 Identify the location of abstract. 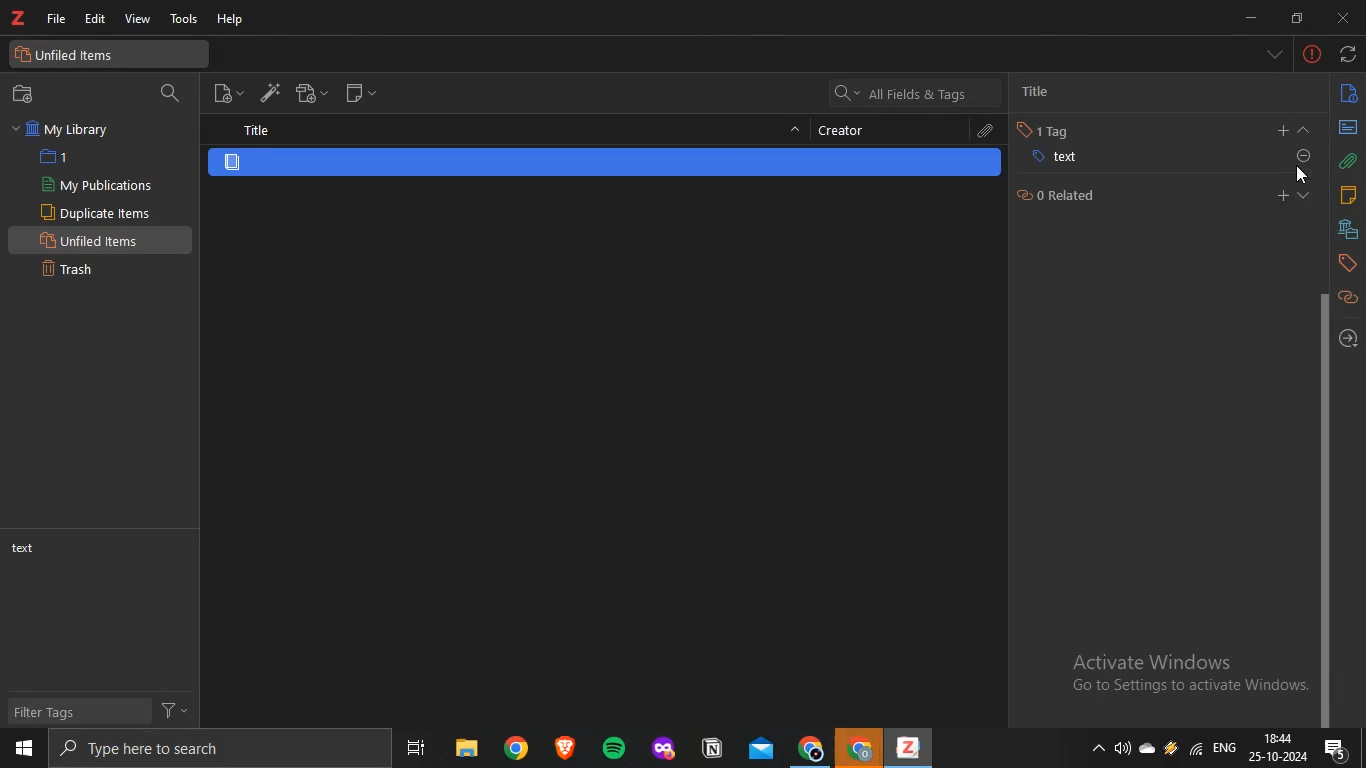
(1347, 127).